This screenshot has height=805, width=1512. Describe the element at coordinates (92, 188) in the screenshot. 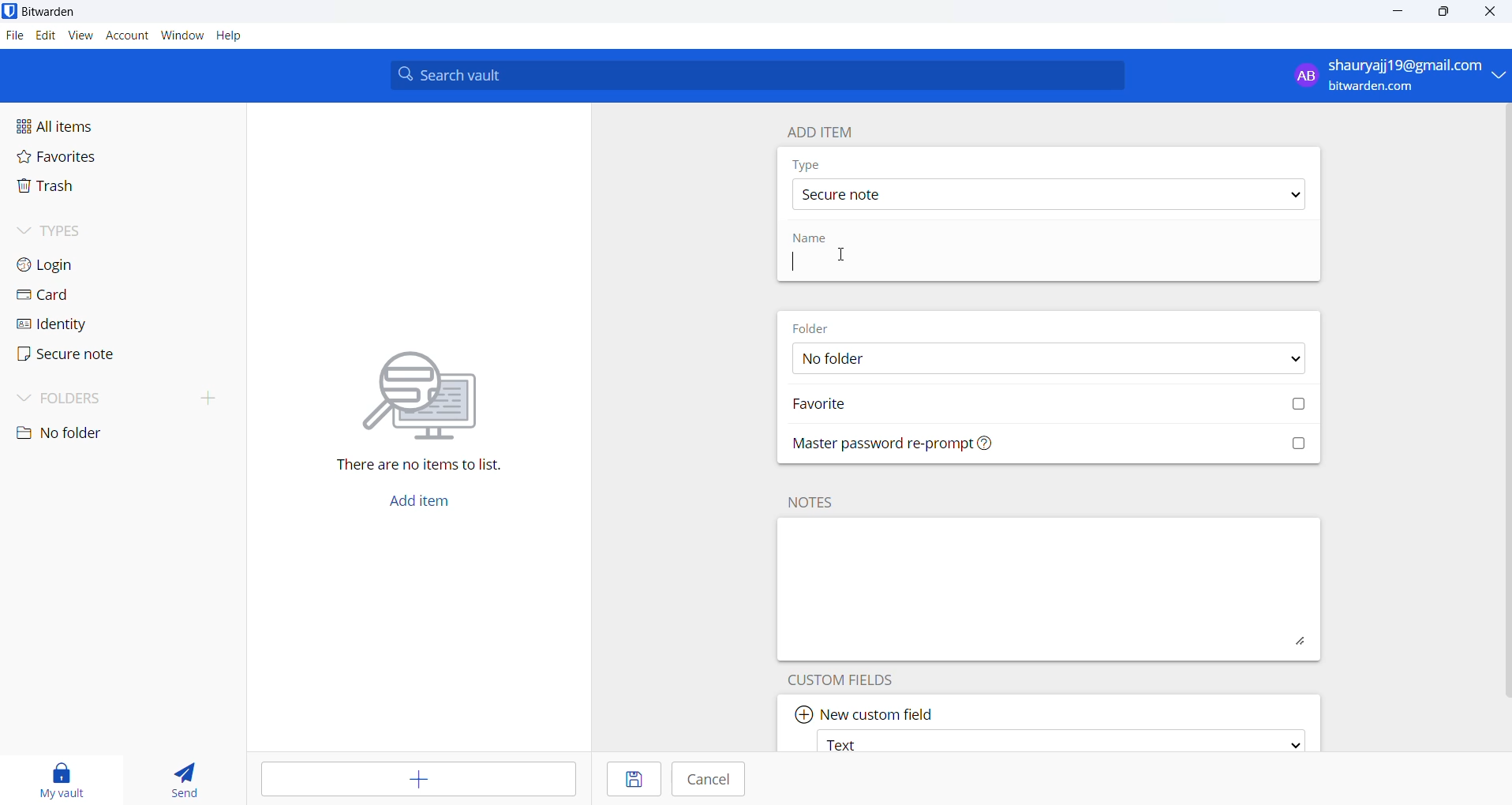

I see `trash` at that location.